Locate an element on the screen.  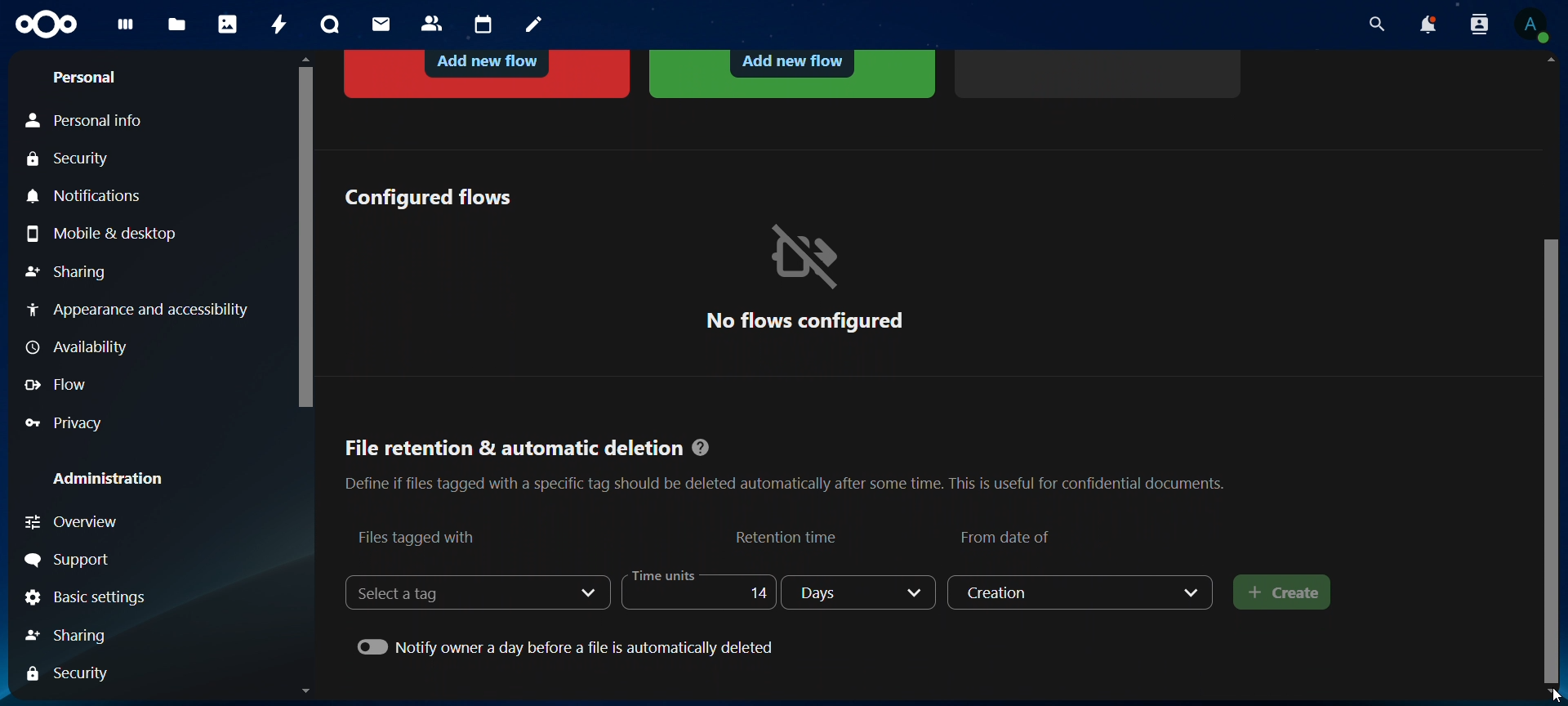
select a tag is located at coordinates (413, 593).